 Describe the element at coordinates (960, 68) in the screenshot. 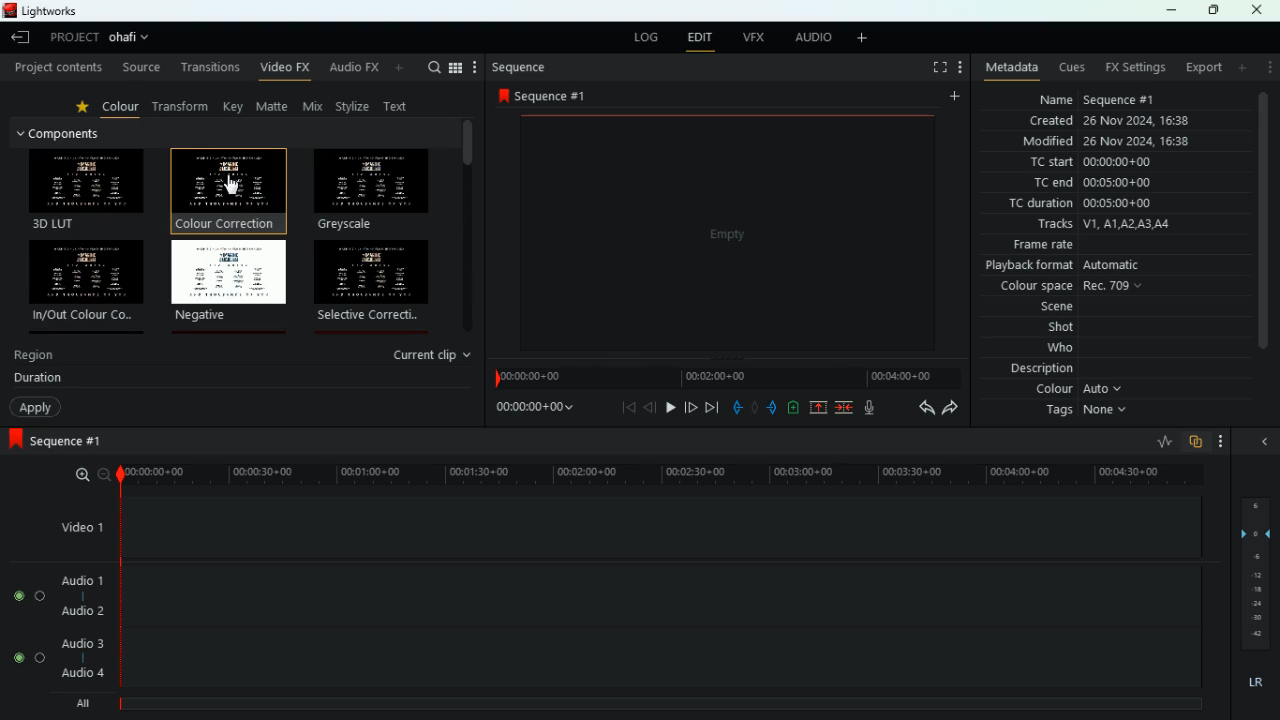

I see `more` at that location.